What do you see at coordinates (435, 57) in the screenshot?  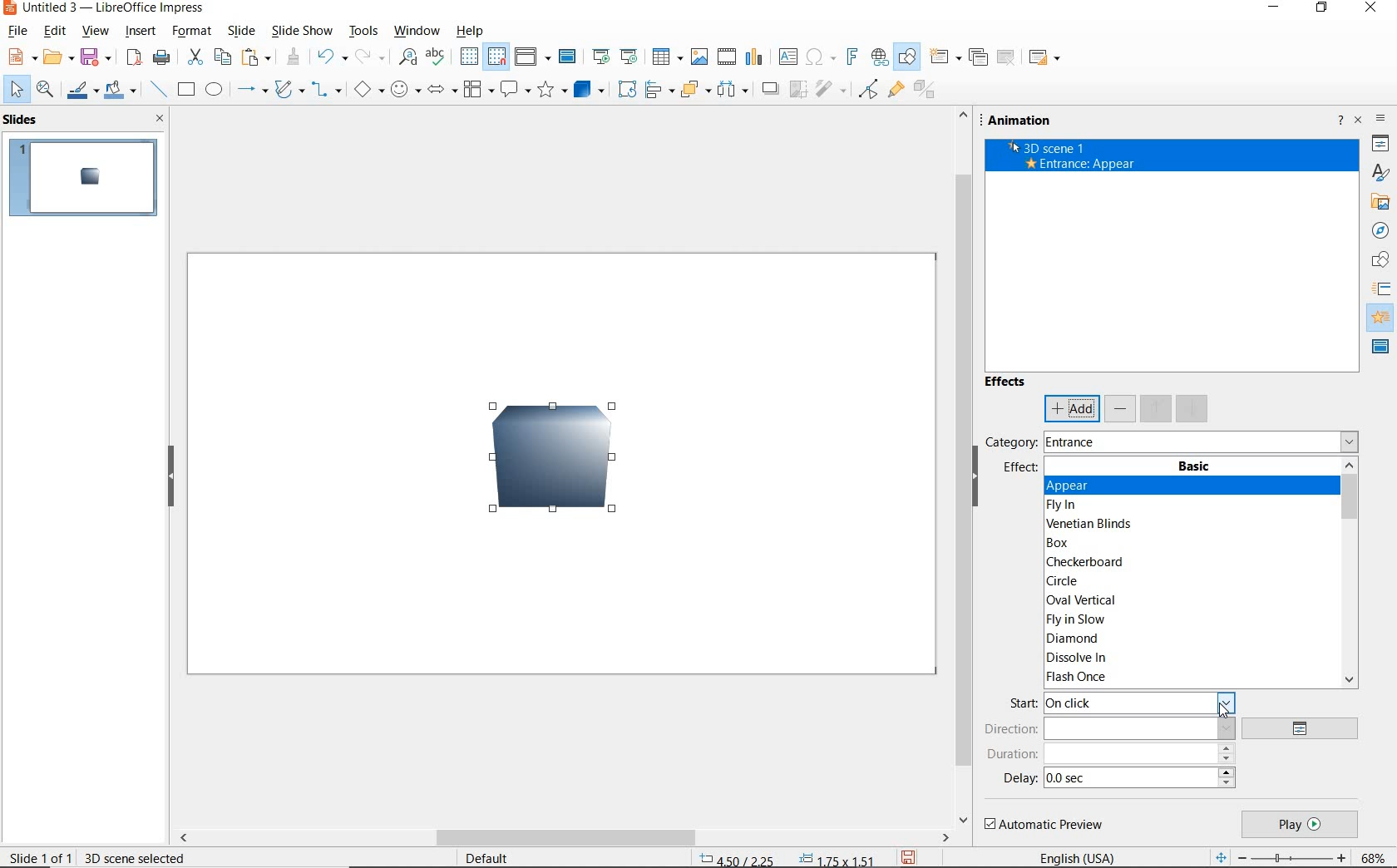 I see `spelling` at bounding box center [435, 57].